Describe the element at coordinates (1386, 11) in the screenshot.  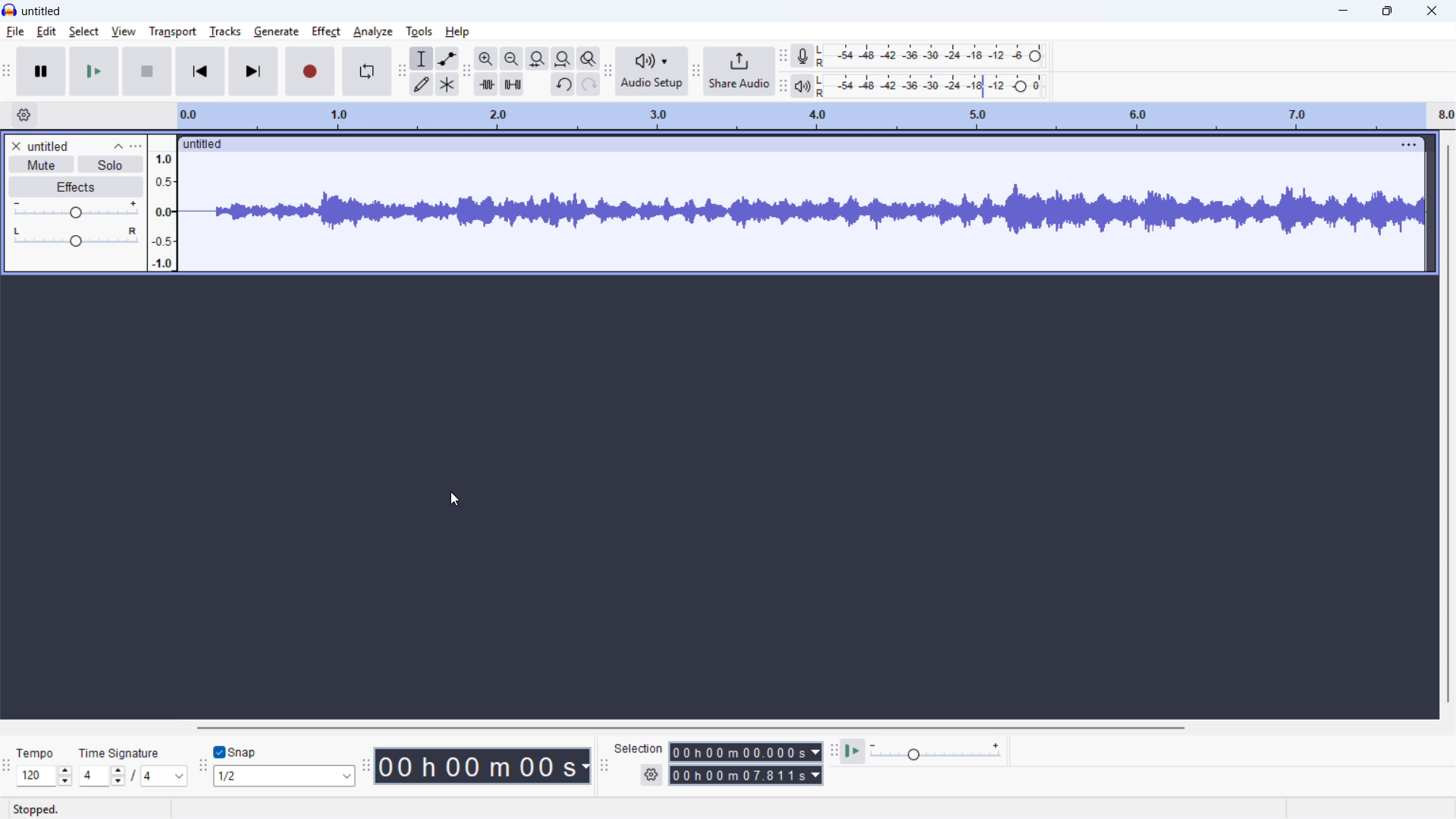
I see `Maximise ` at that location.